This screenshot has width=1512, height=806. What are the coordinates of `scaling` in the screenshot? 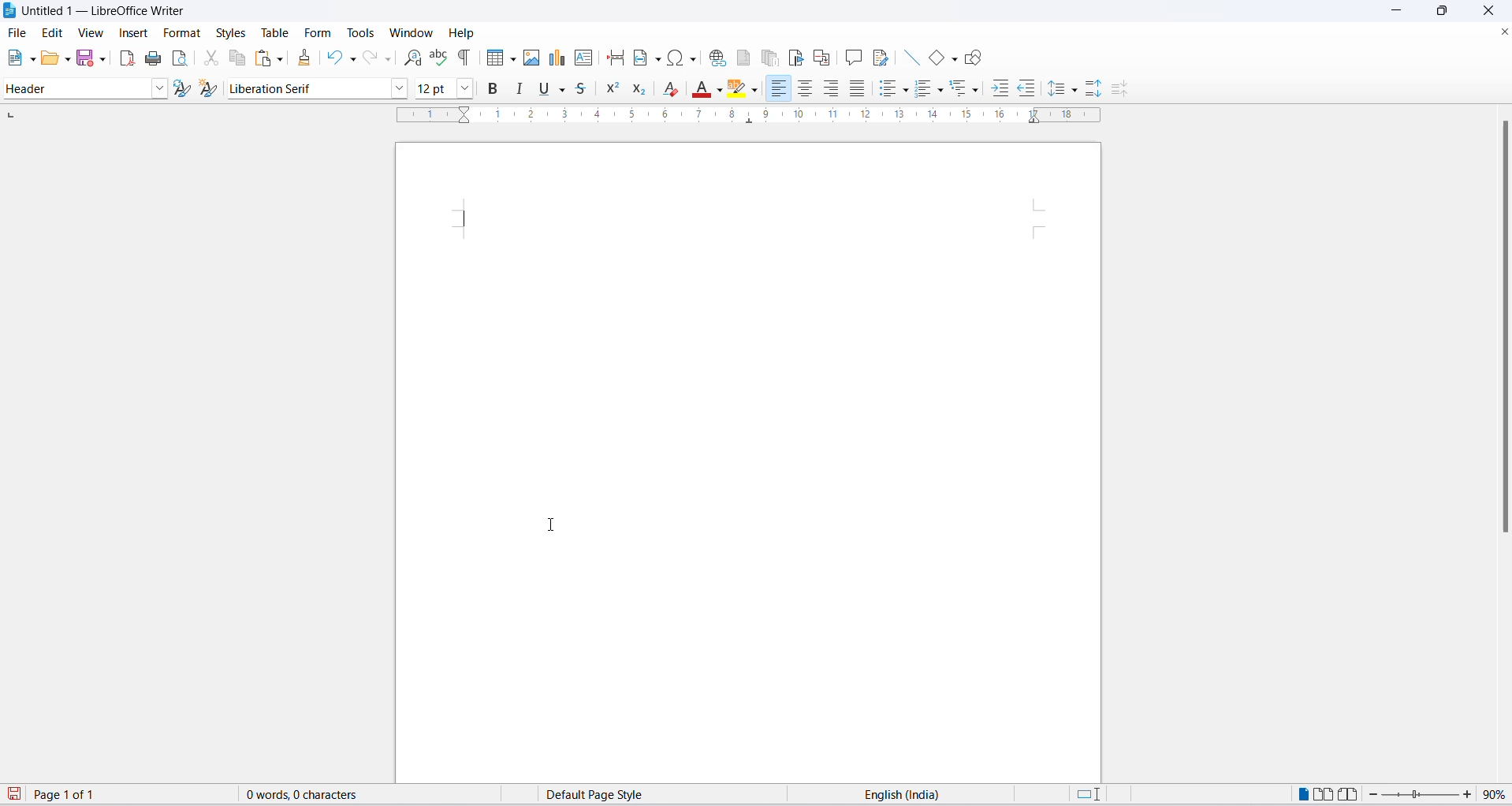 It's located at (757, 122).